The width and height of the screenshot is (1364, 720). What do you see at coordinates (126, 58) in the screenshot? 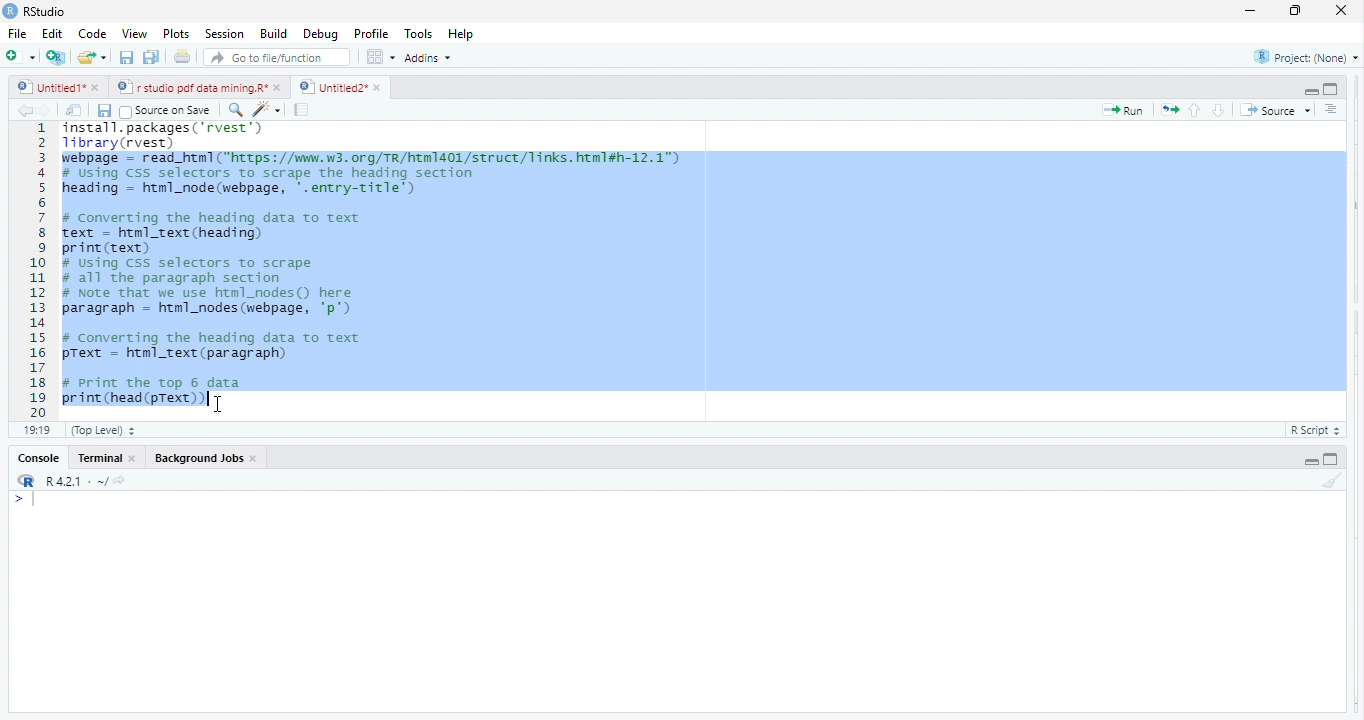
I see `save current document` at bounding box center [126, 58].